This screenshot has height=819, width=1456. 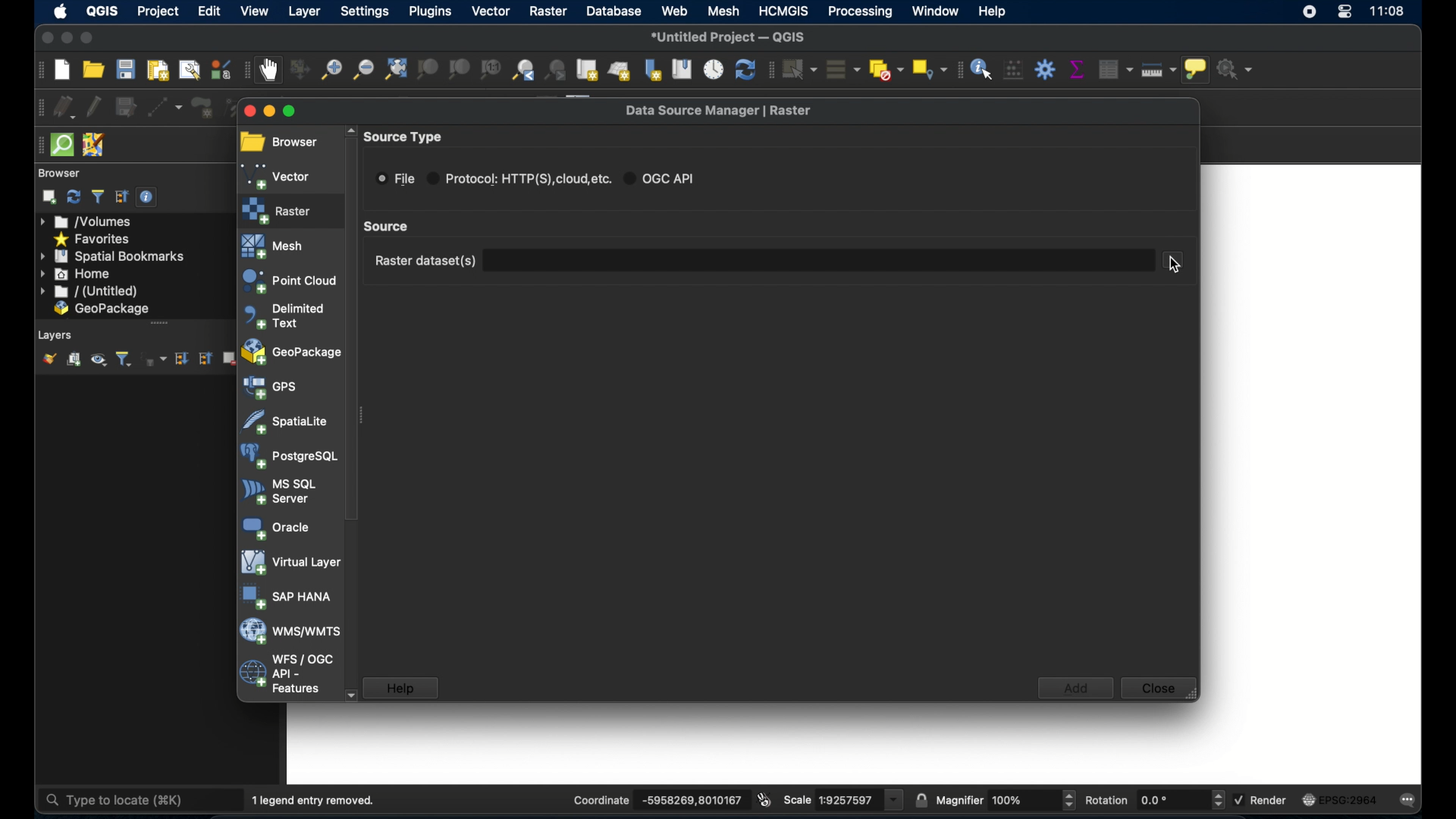 What do you see at coordinates (160, 322) in the screenshot?
I see `drag handle` at bounding box center [160, 322].